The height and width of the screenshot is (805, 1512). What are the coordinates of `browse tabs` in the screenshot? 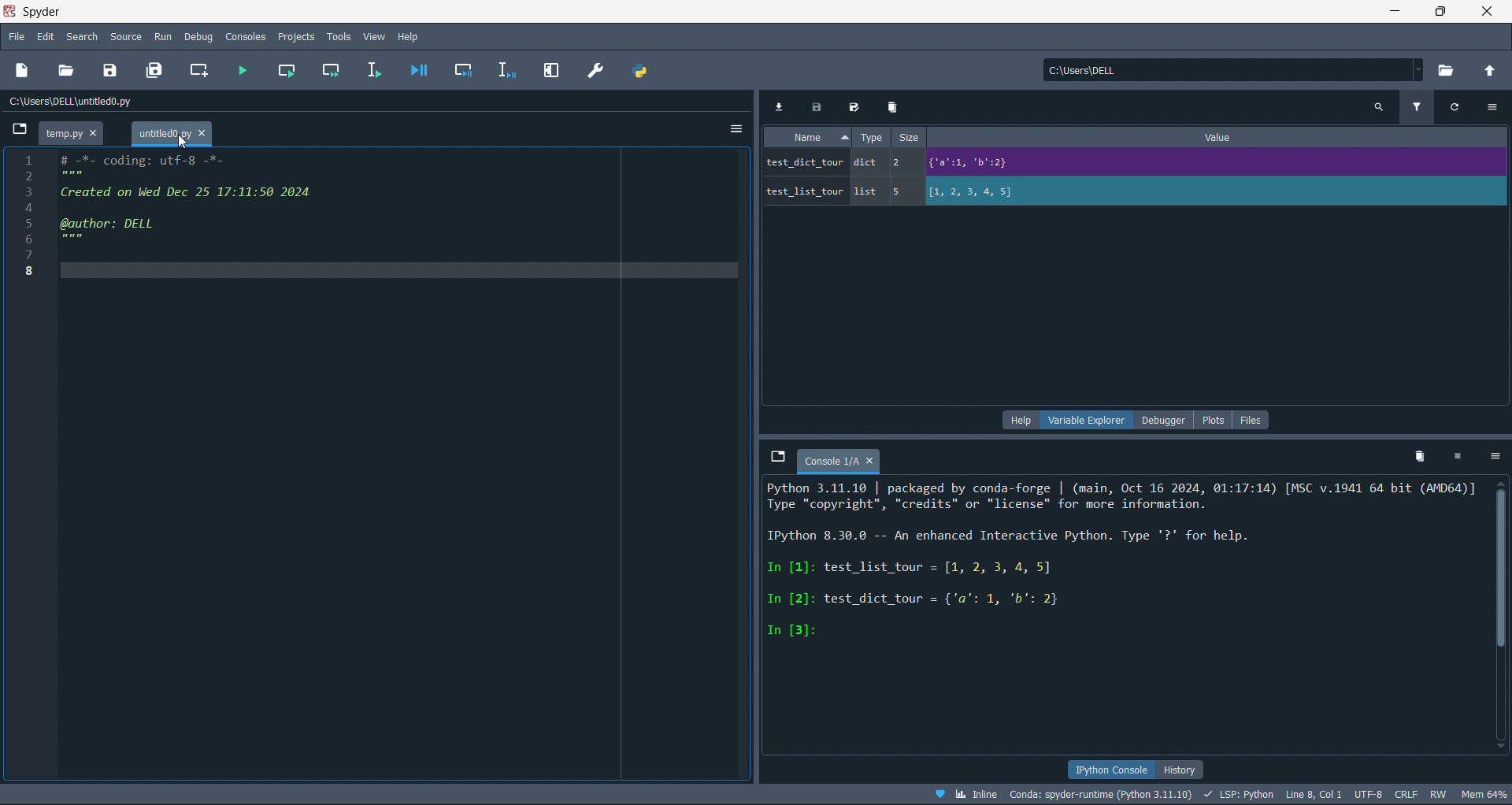 It's located at (774, 457).